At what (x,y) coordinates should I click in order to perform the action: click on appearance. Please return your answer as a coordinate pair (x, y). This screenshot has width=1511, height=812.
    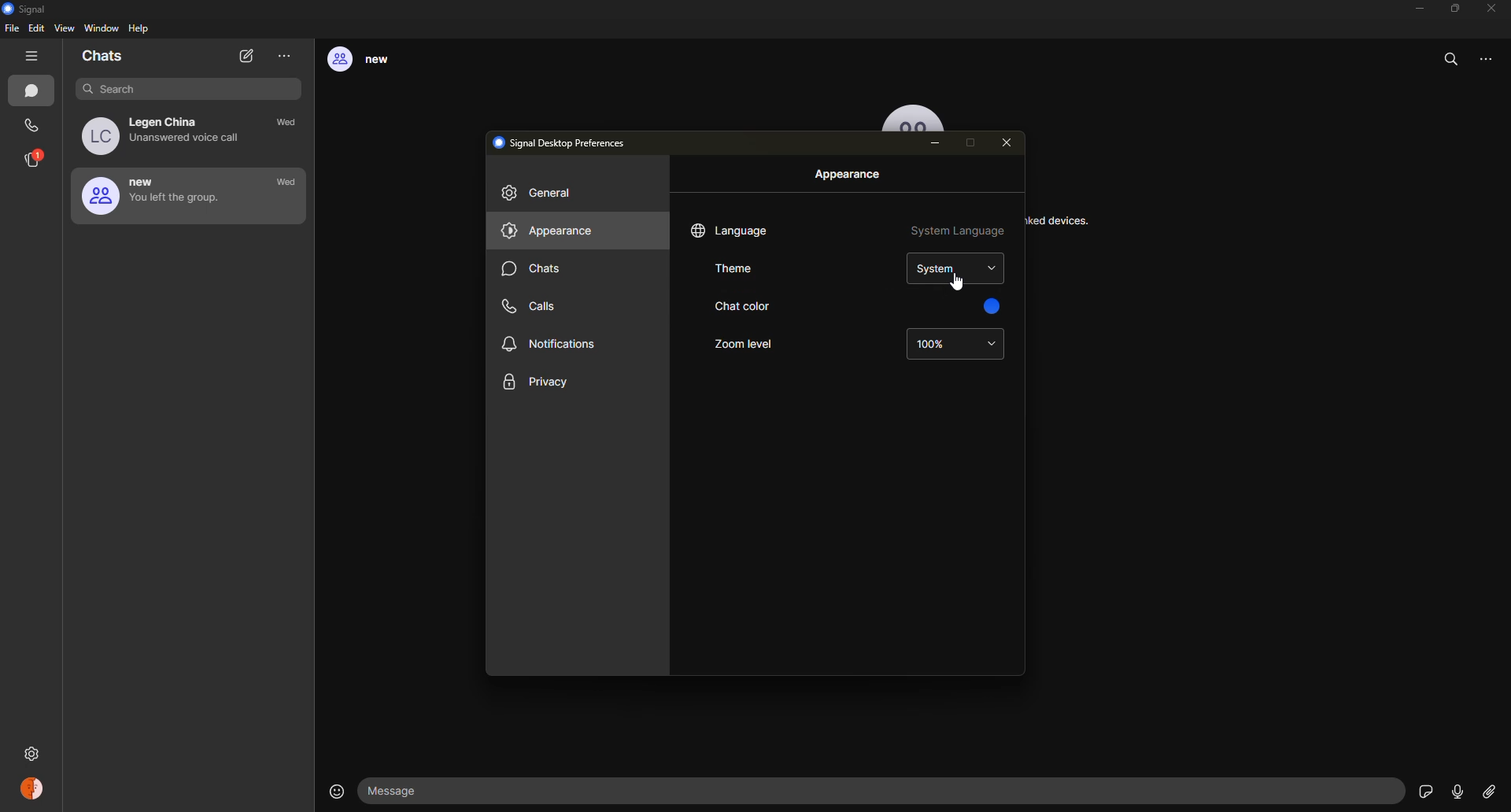
    Looking at the image, I should click on (549, 232).